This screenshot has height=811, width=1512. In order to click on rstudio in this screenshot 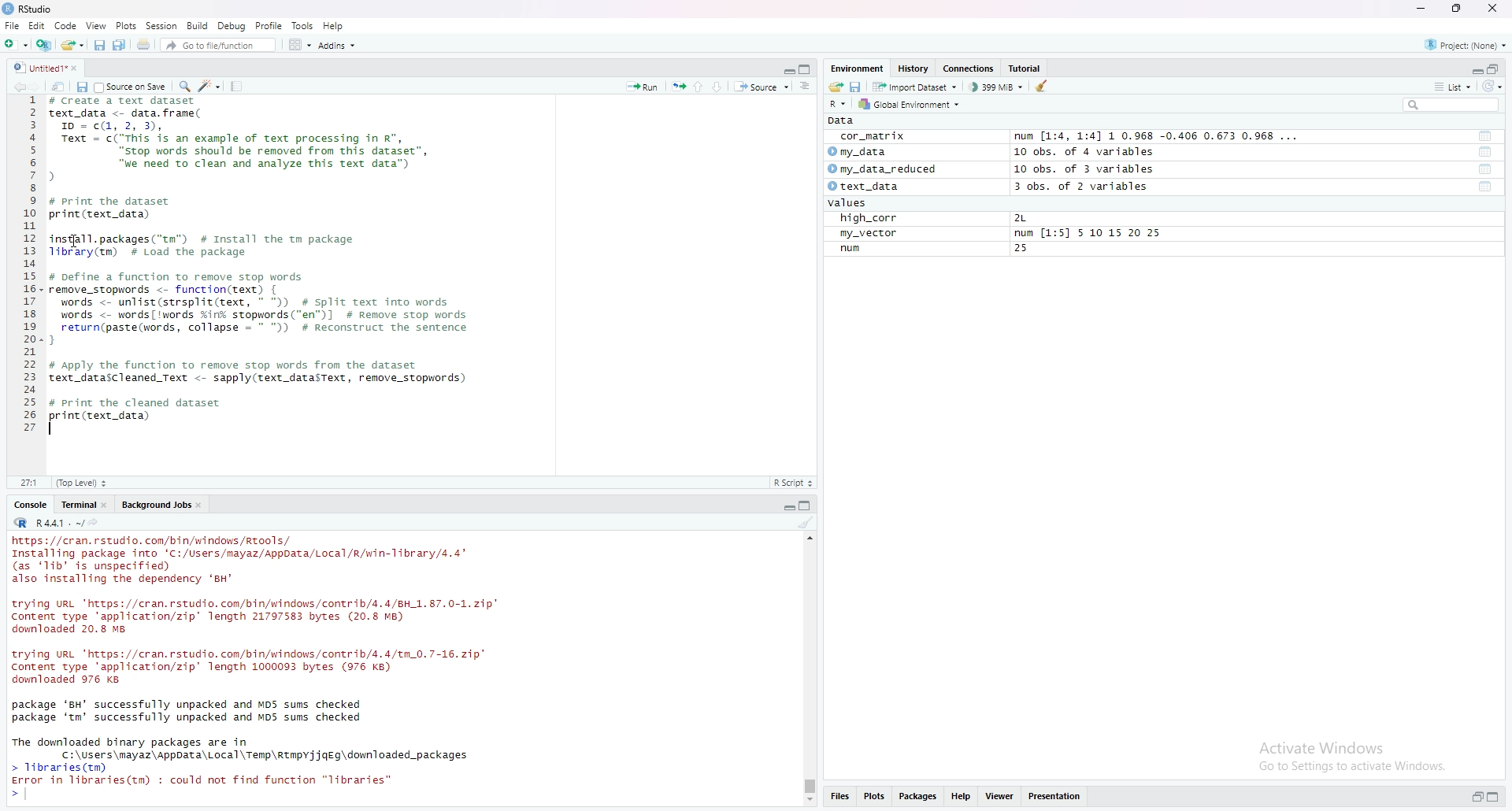, I will do `click(29, 10)`.